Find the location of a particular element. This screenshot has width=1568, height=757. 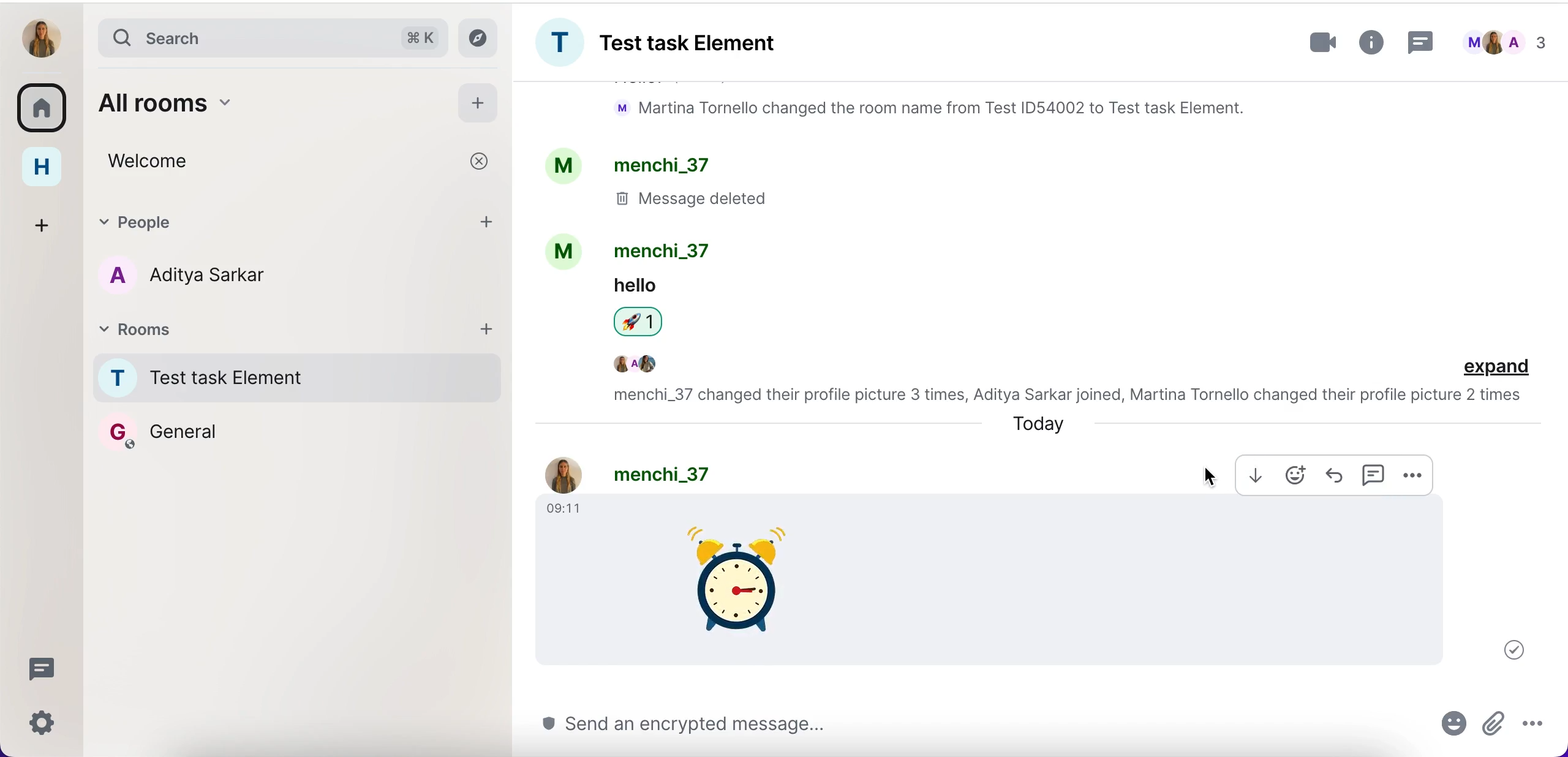

rooms names is located at coordinates (289, 409).